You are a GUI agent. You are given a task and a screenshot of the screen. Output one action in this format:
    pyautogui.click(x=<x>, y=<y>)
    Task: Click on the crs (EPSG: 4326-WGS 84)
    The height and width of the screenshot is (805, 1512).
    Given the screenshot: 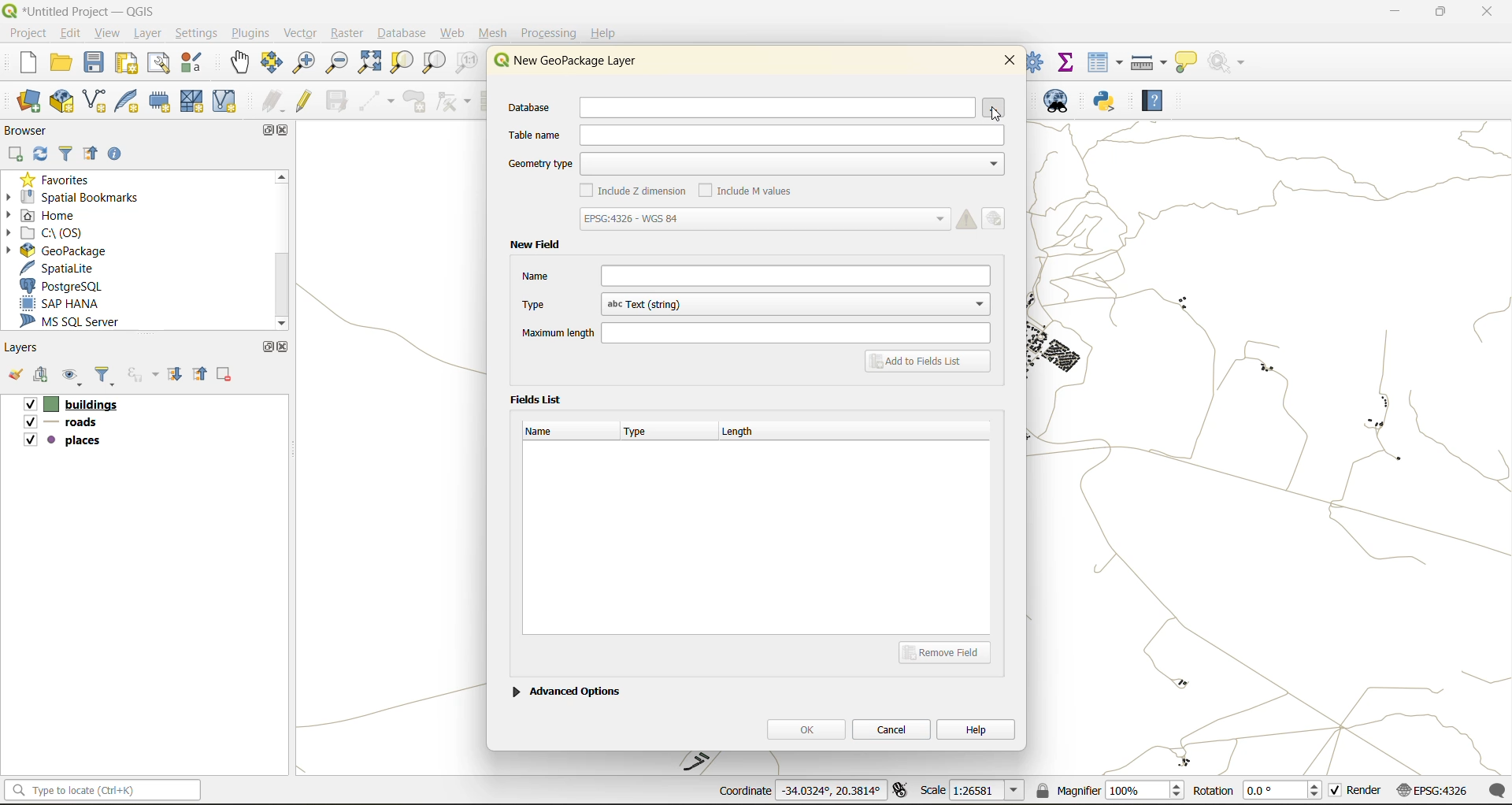 What is the action you would take?
    pyautogui.click(x=763, y=219)
    